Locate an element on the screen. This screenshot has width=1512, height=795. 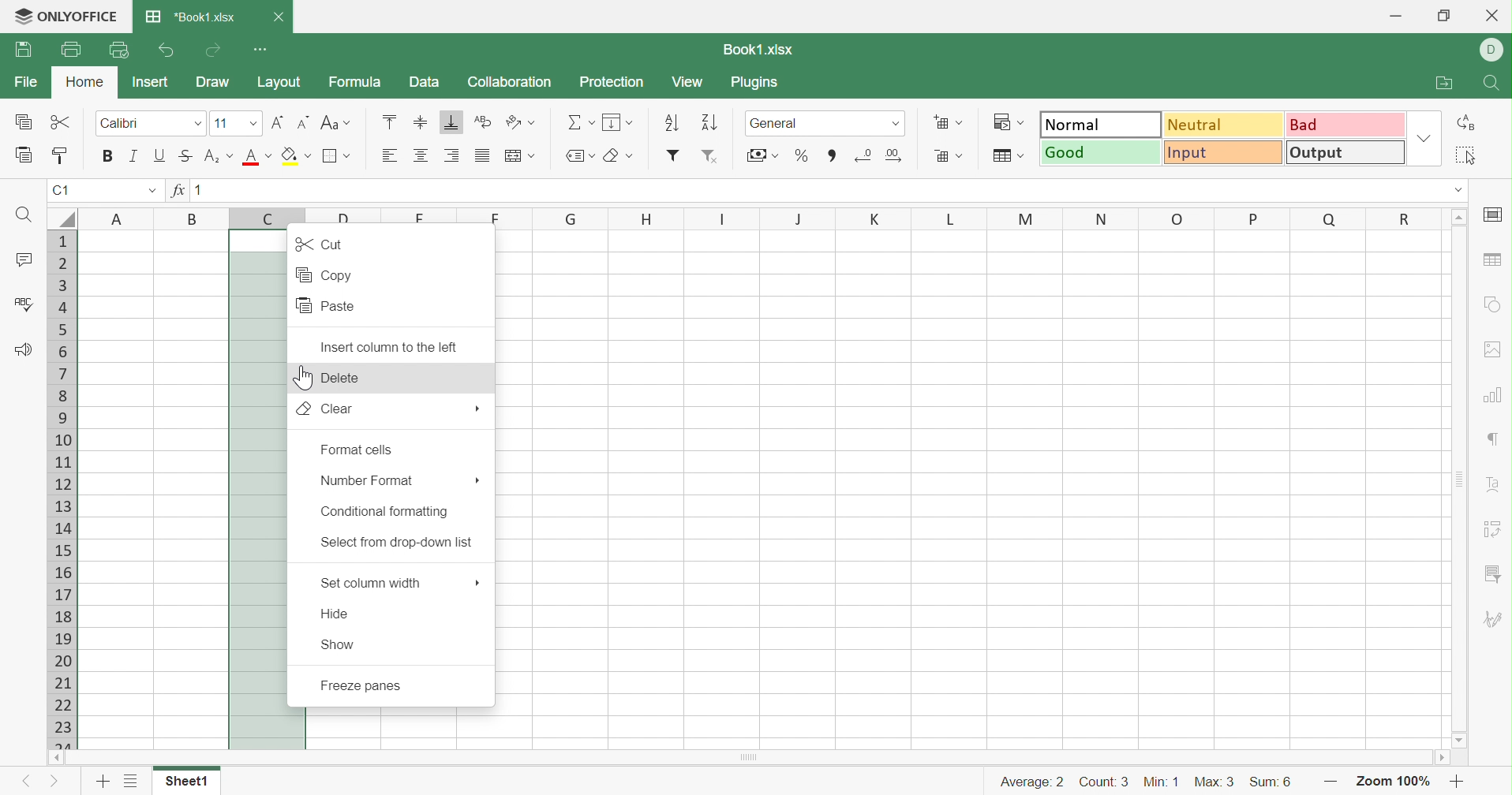
Average: 2 is located at coordinates (1032, 782).